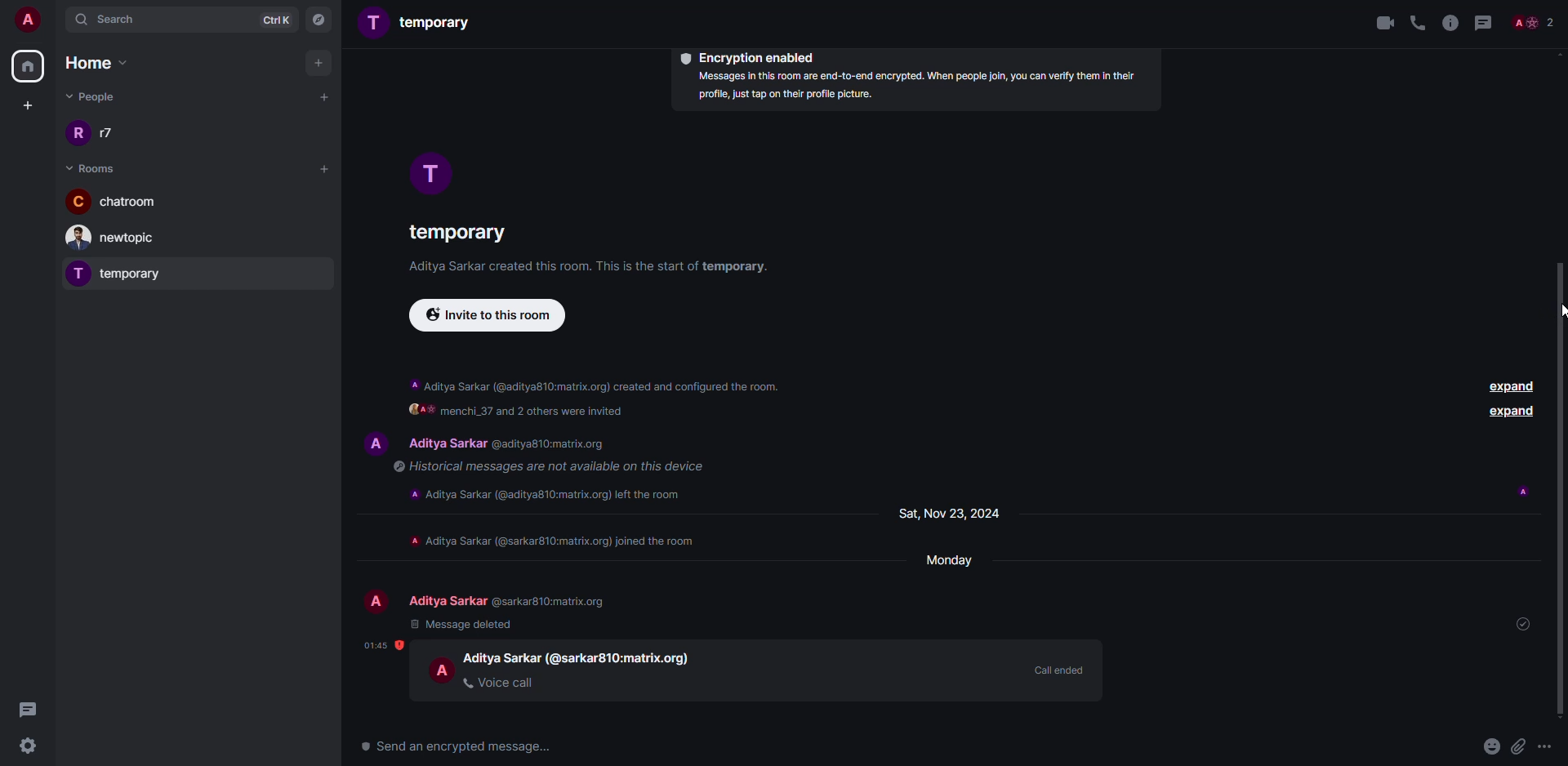 This screenshot has height=766, width=1568. Describe the element at coordinates (422, 24) in the screenshot. I see `temporary` at that location.